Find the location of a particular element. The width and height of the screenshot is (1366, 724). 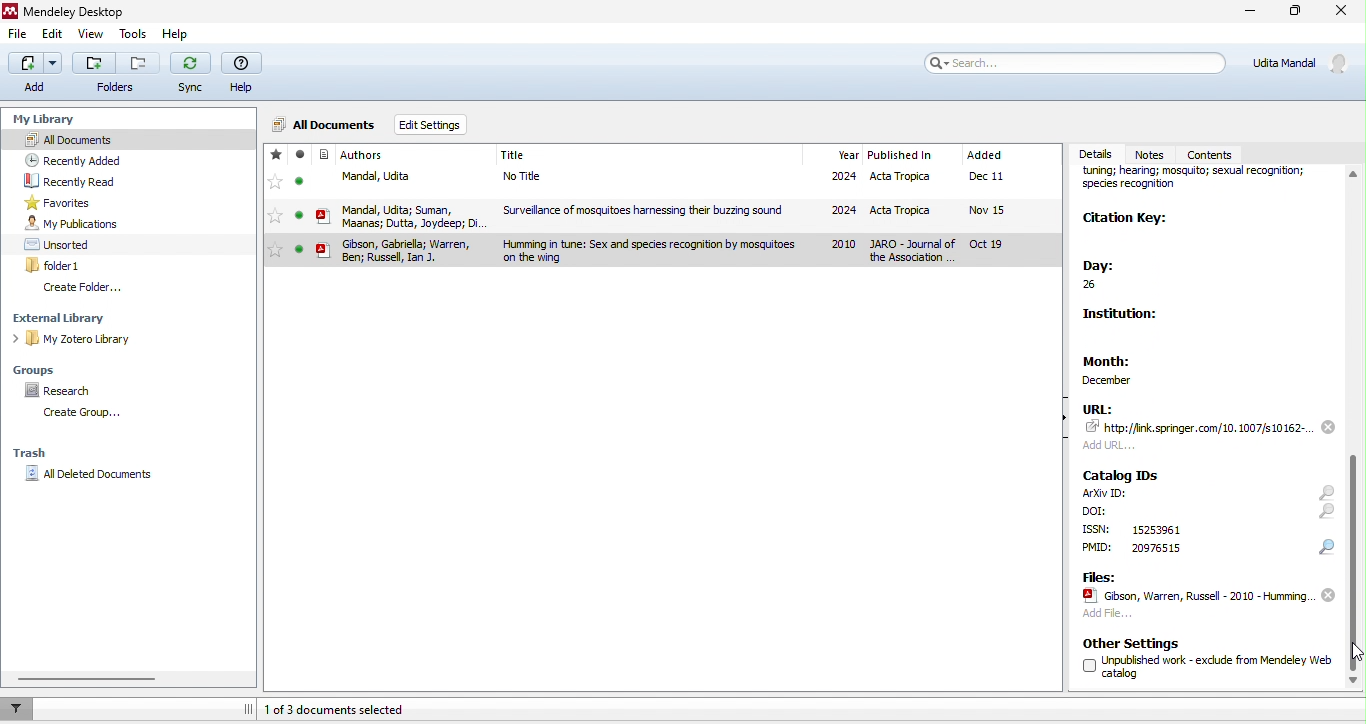

month: december is located at coordinates (1126, 363).